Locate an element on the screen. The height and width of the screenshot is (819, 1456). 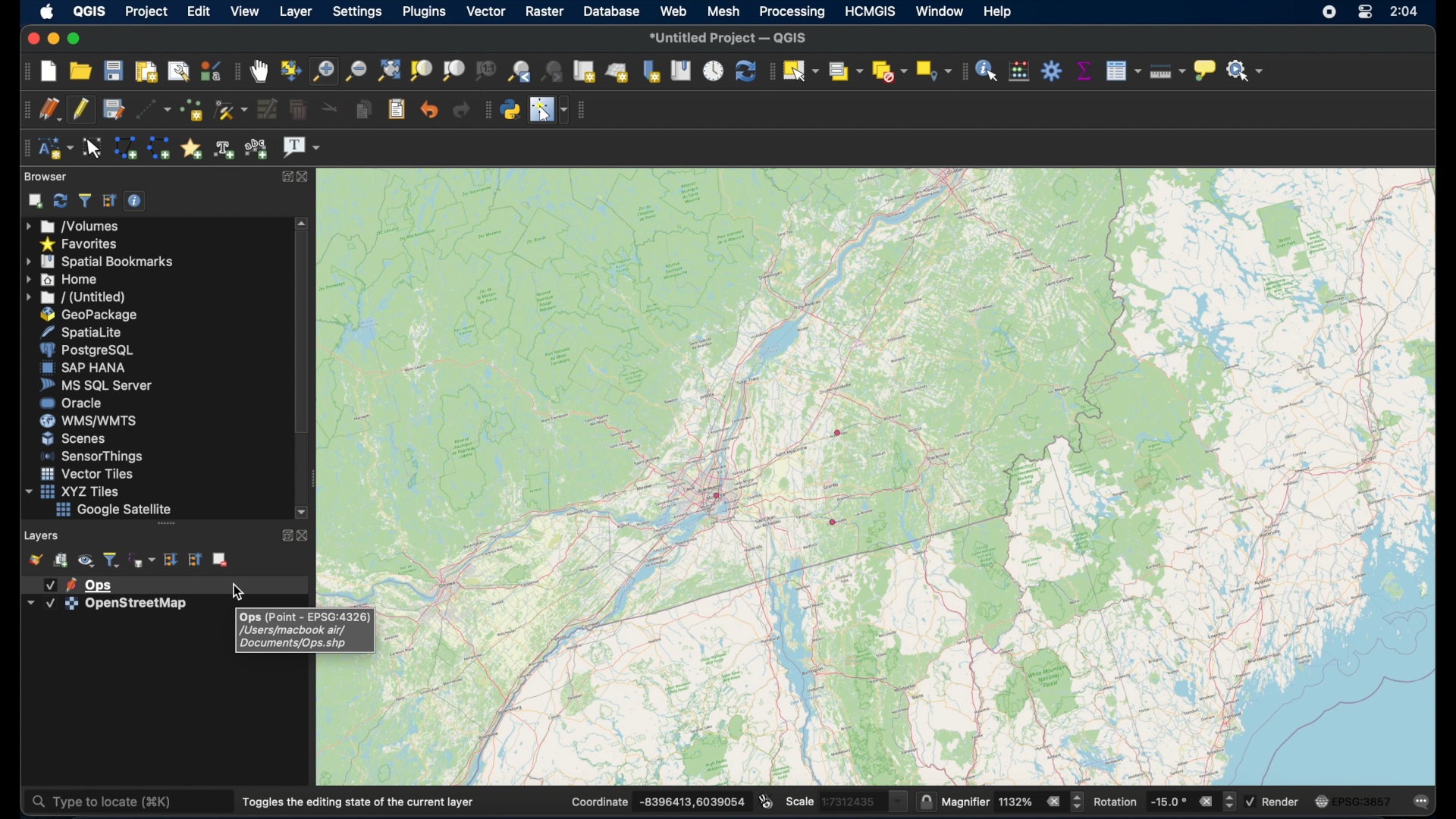
render is located at coordinates (1275, 800).